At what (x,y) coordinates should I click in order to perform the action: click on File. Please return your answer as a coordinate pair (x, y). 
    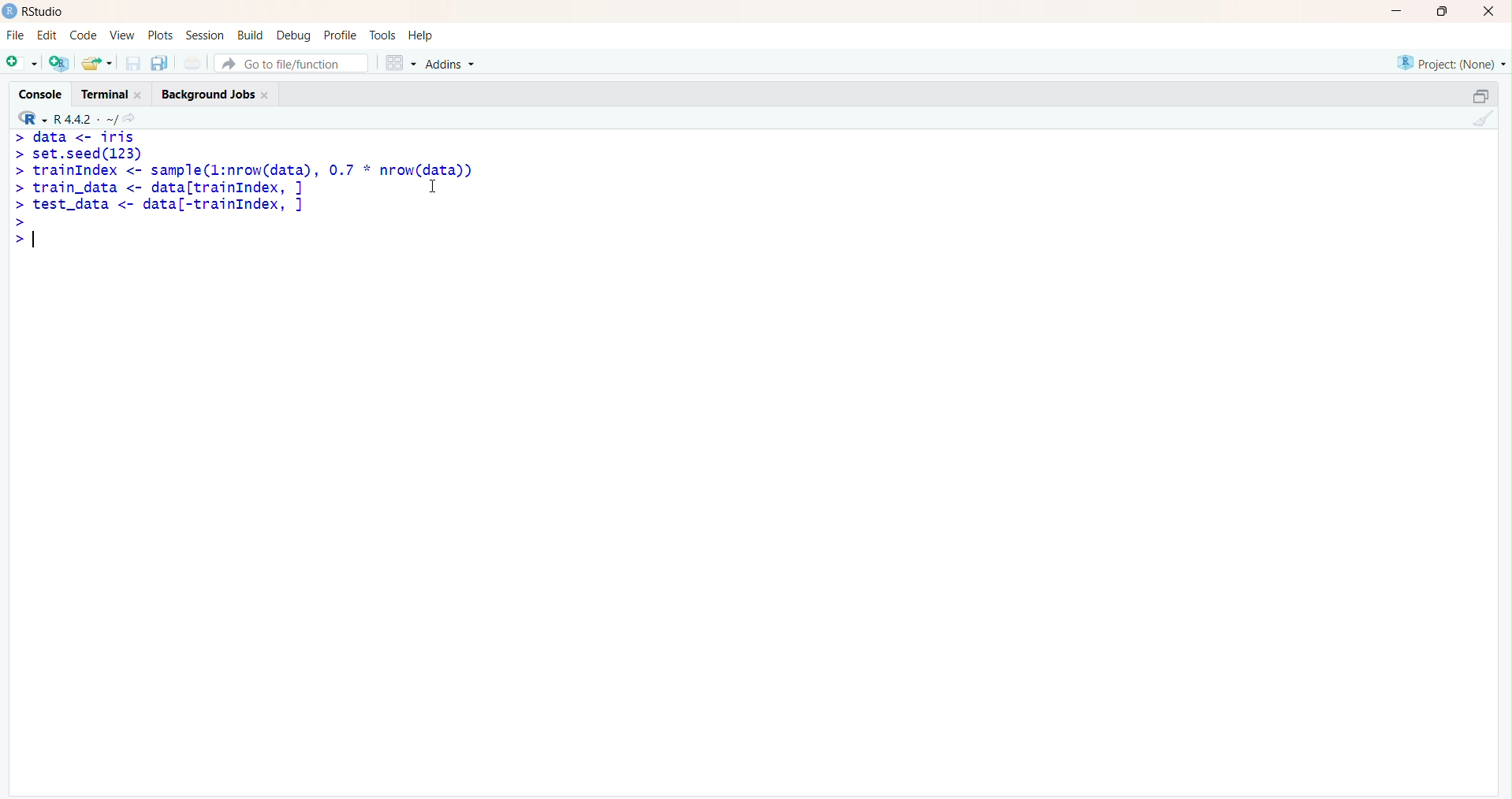
    Looking at the image, I should click on (15, 35).